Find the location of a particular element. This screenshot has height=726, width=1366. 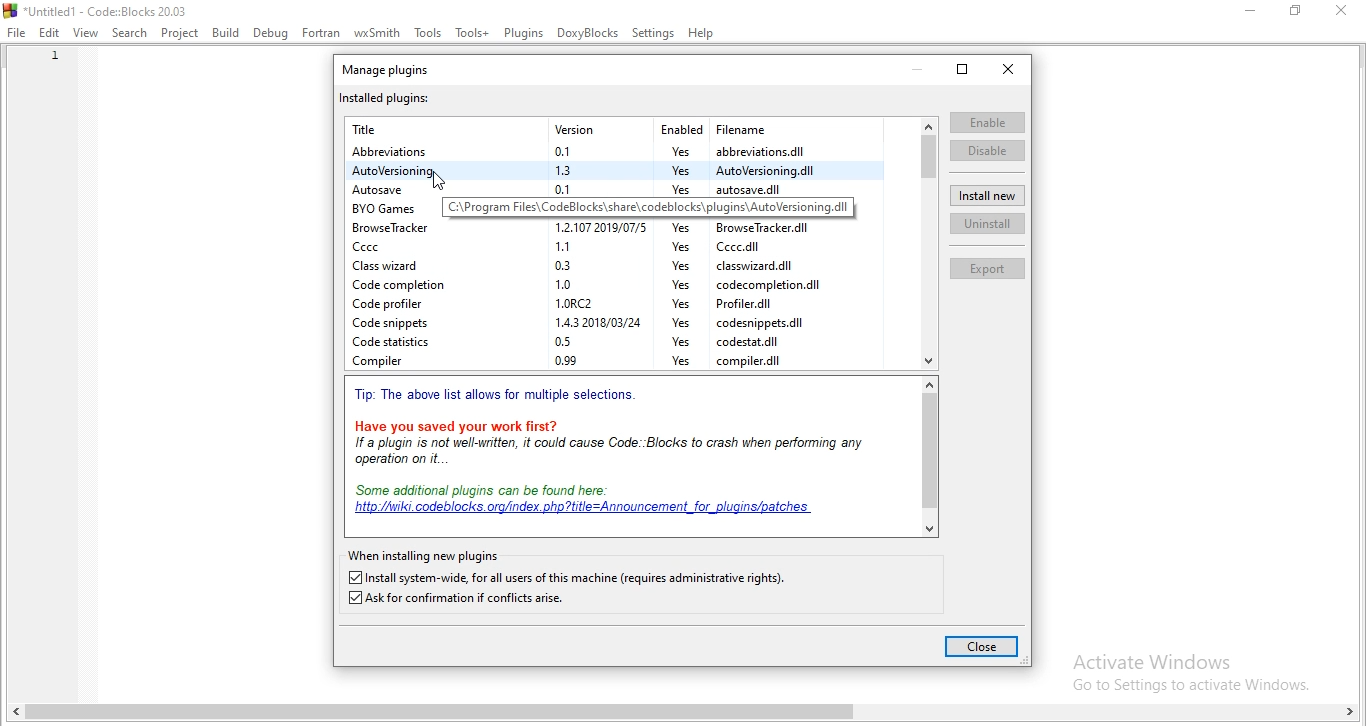

DoxyBlocks is located at coordinates (588, 32).